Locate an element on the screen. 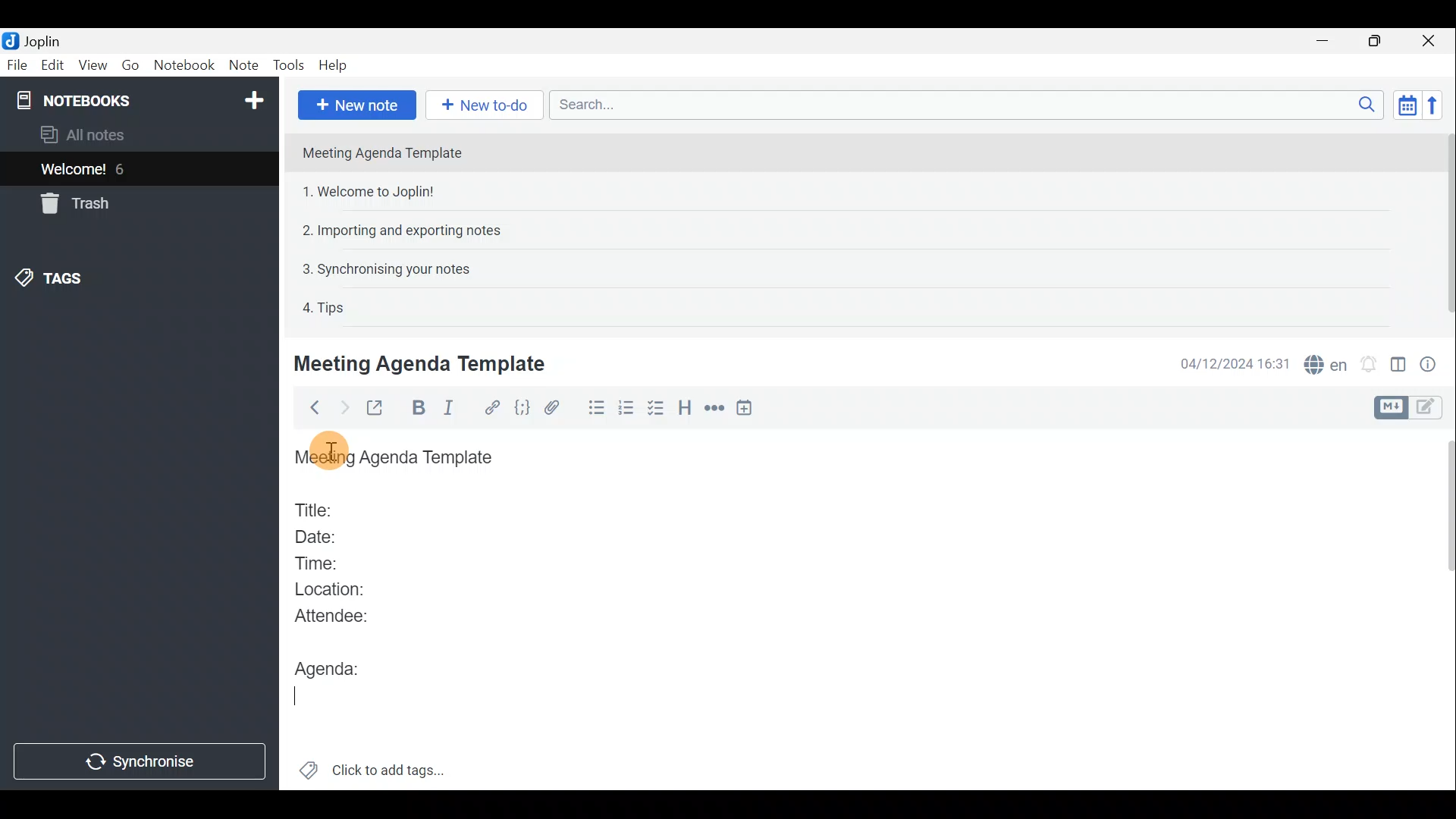  Horizontal rule is located at coordinates (716, 410).